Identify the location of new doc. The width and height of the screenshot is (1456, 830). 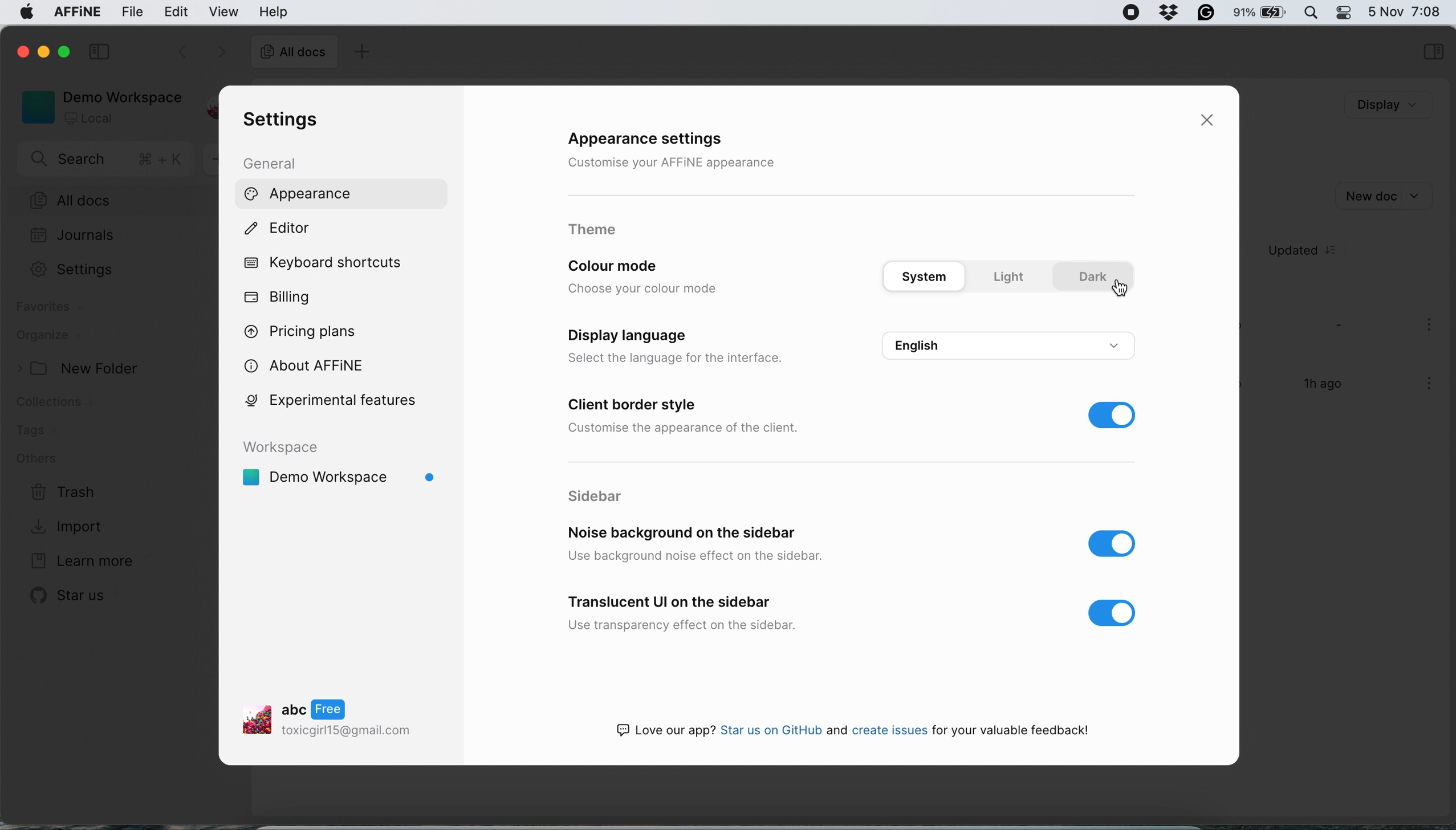
(1391, 194).